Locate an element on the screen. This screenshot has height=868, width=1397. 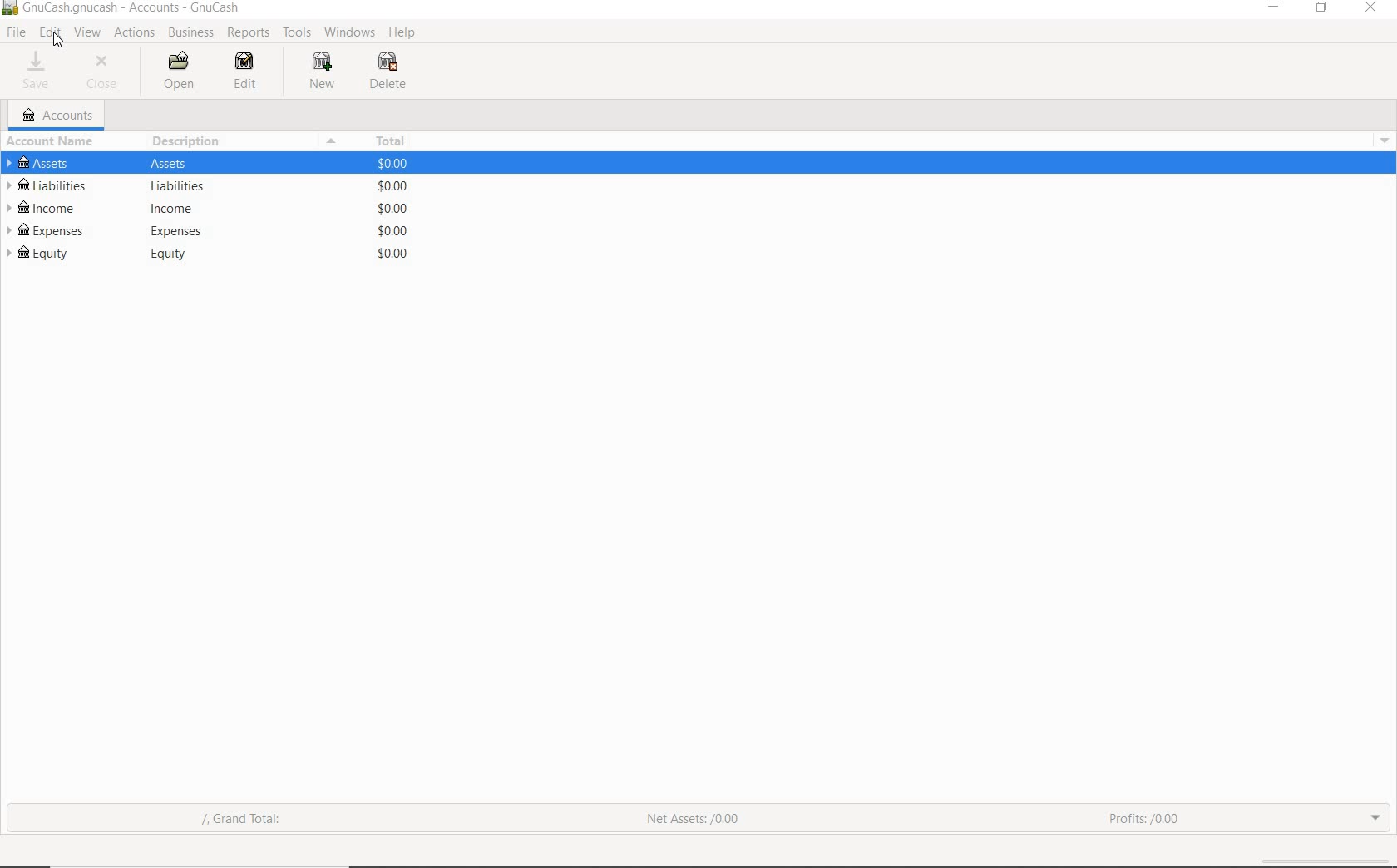
HELP is located at coordinates (405, 33).